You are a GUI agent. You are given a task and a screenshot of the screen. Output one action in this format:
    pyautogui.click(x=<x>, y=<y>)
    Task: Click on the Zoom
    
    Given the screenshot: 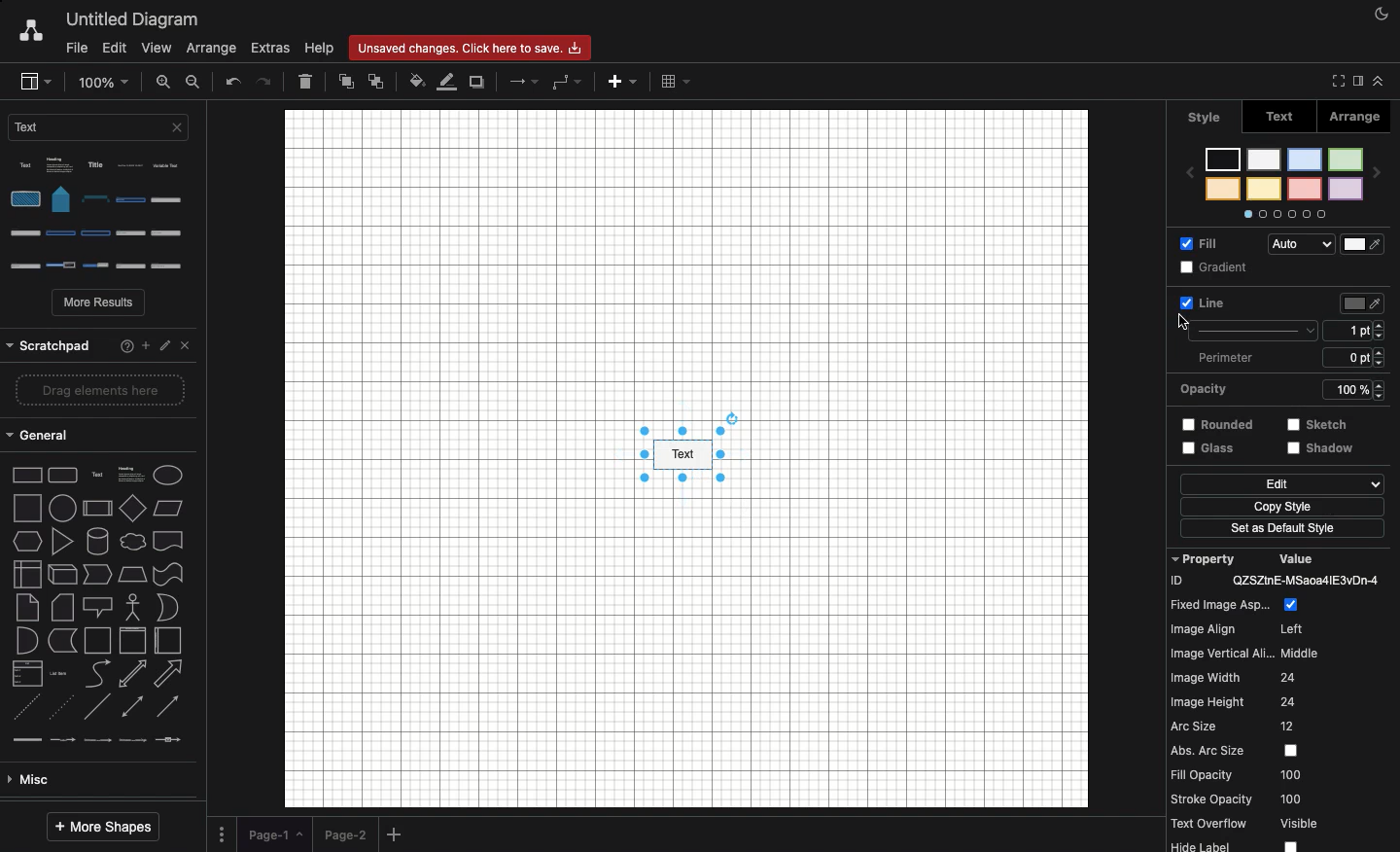 What is the action you would take?
    pyautogui.click(x=105, y=81)
    